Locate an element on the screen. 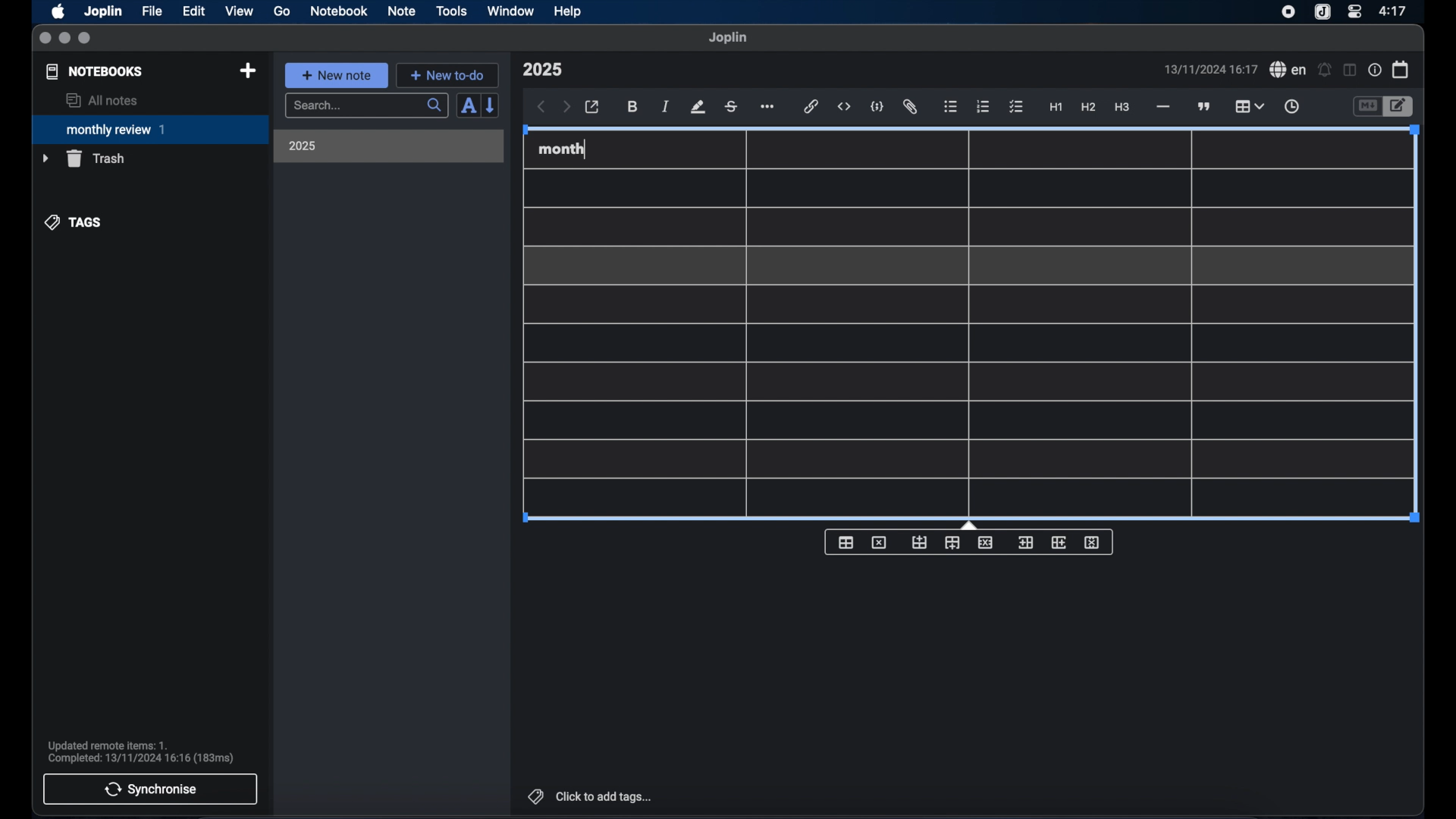 This screenshot has width=1456, height=819. heading 2 is located at coordinates (1089, 108).